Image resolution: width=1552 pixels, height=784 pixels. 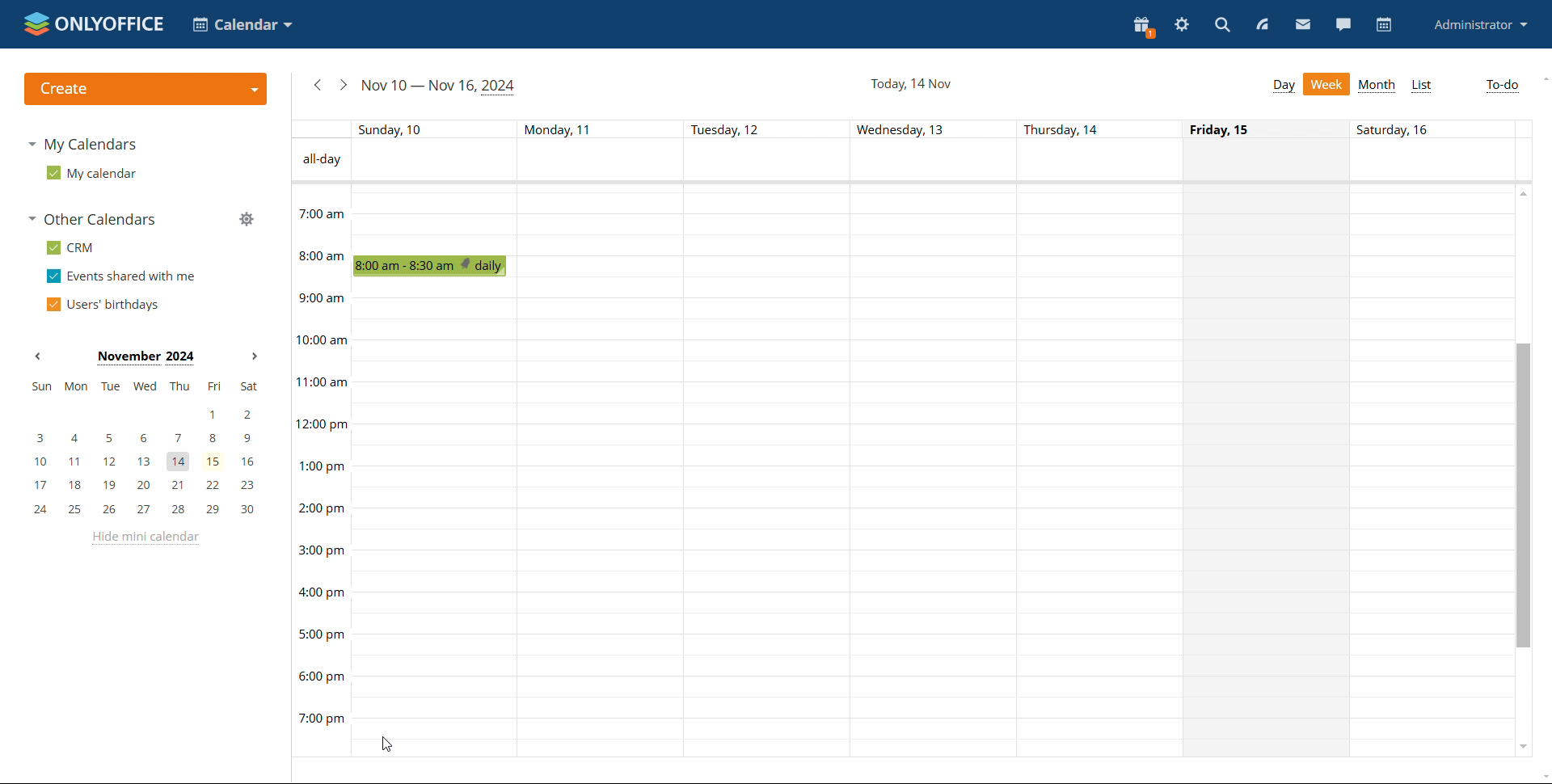 What do you see at coordinates (1521, 495) in the screenshot?
I see `scrollbar` at bounding box center [1521, 495].